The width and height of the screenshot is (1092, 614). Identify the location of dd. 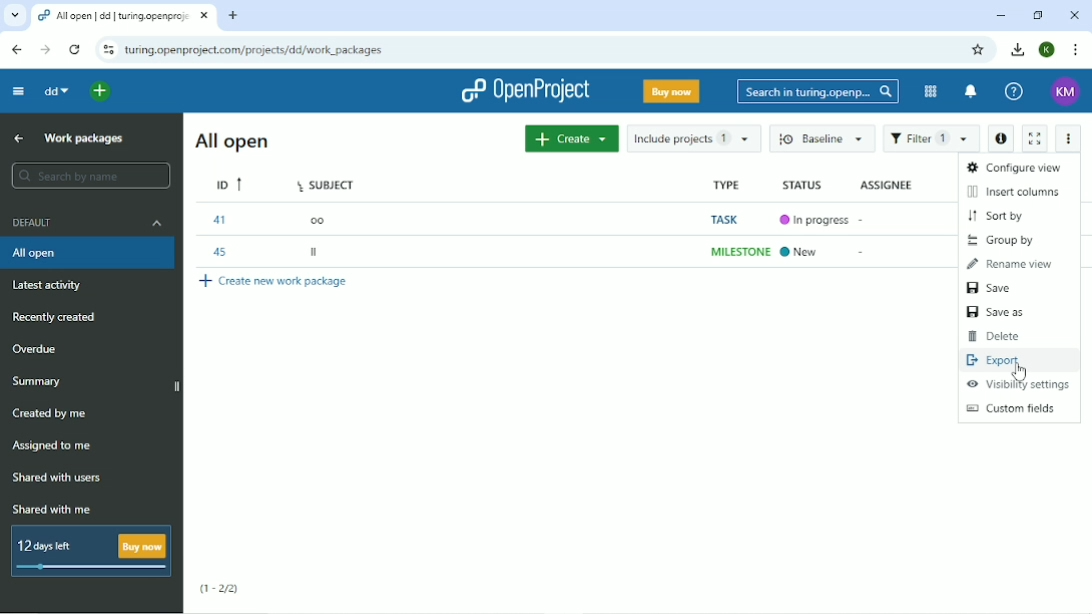
(55, 93).